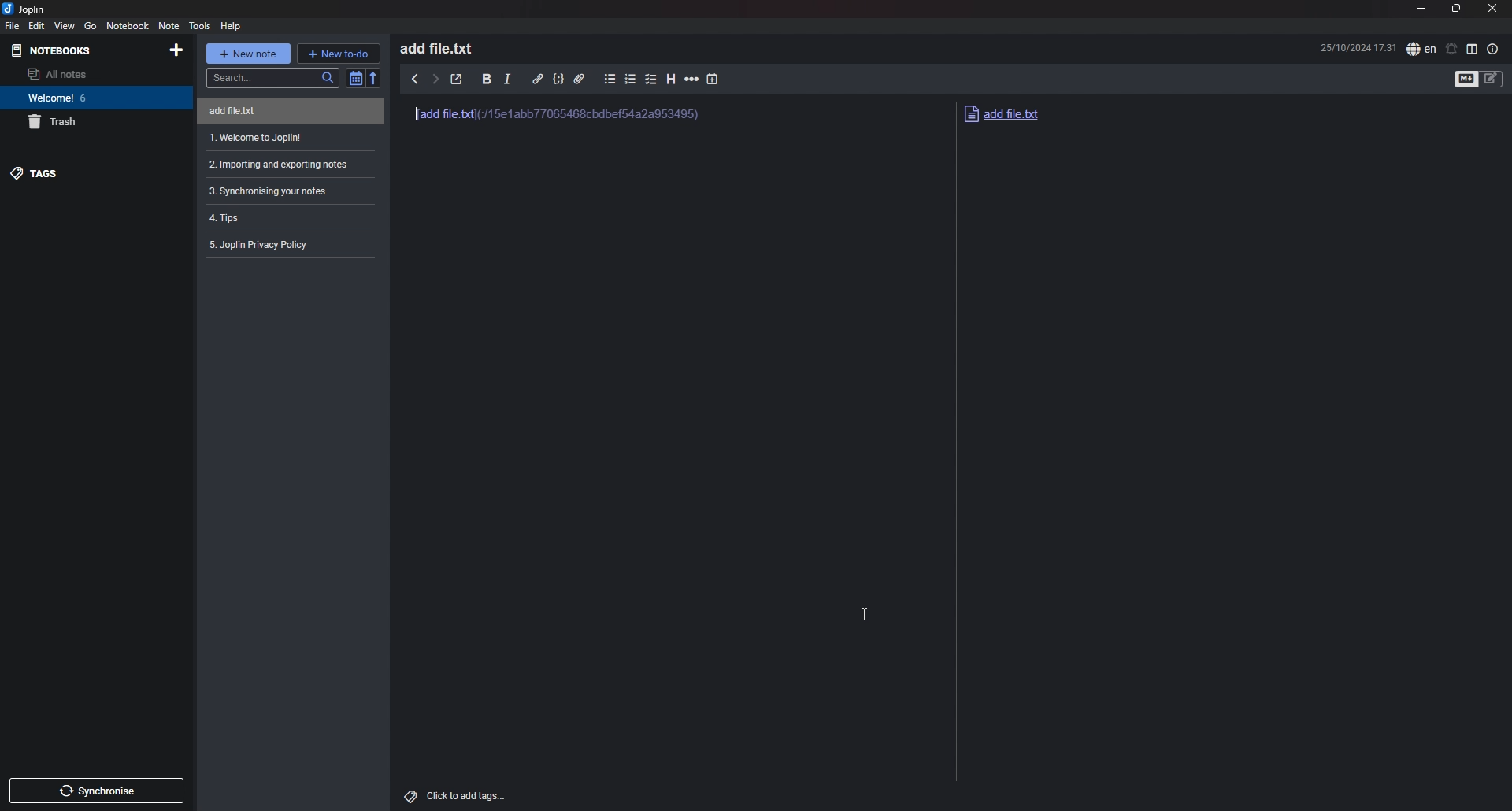 The height and width of the screenshot is (811, 1512). I want to click on edit, so click(38, 25).